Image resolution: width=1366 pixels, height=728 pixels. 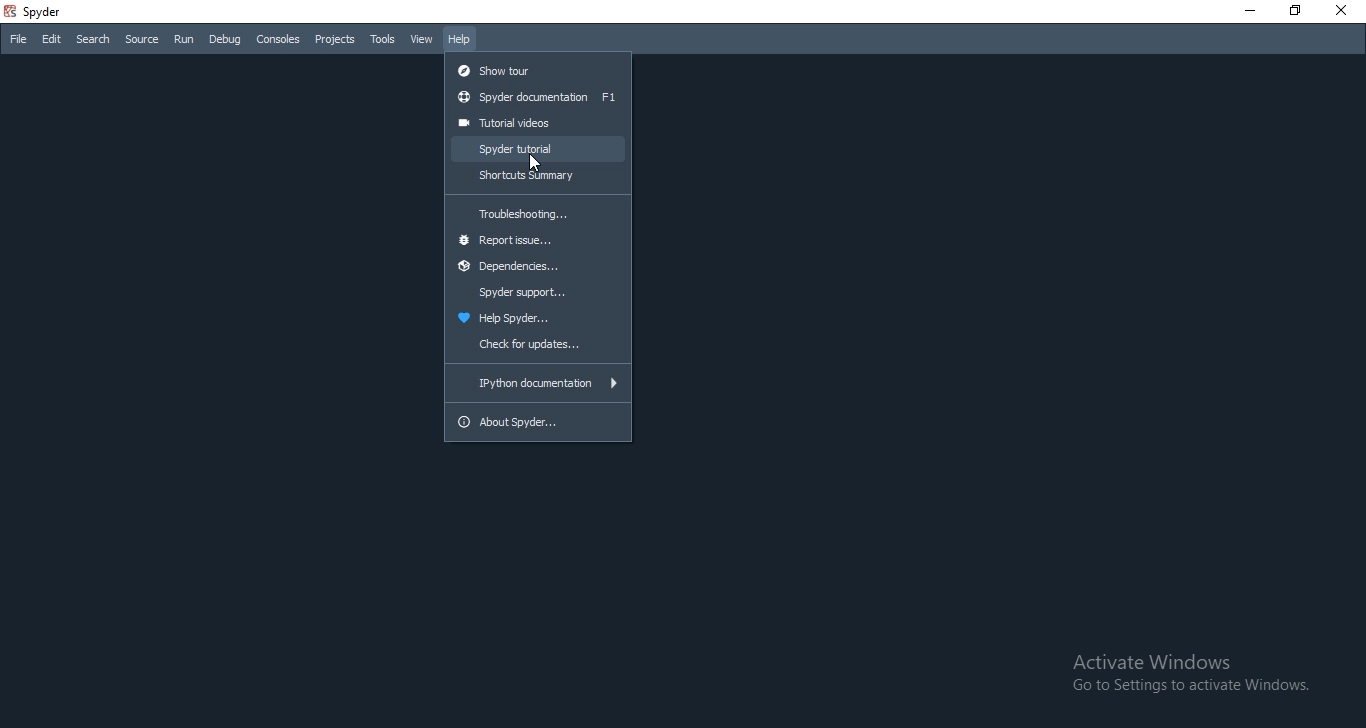 What do you see at coordinates (279, 39) in the screenshot?
I see `Consoles` at bounding box center [279, 39].